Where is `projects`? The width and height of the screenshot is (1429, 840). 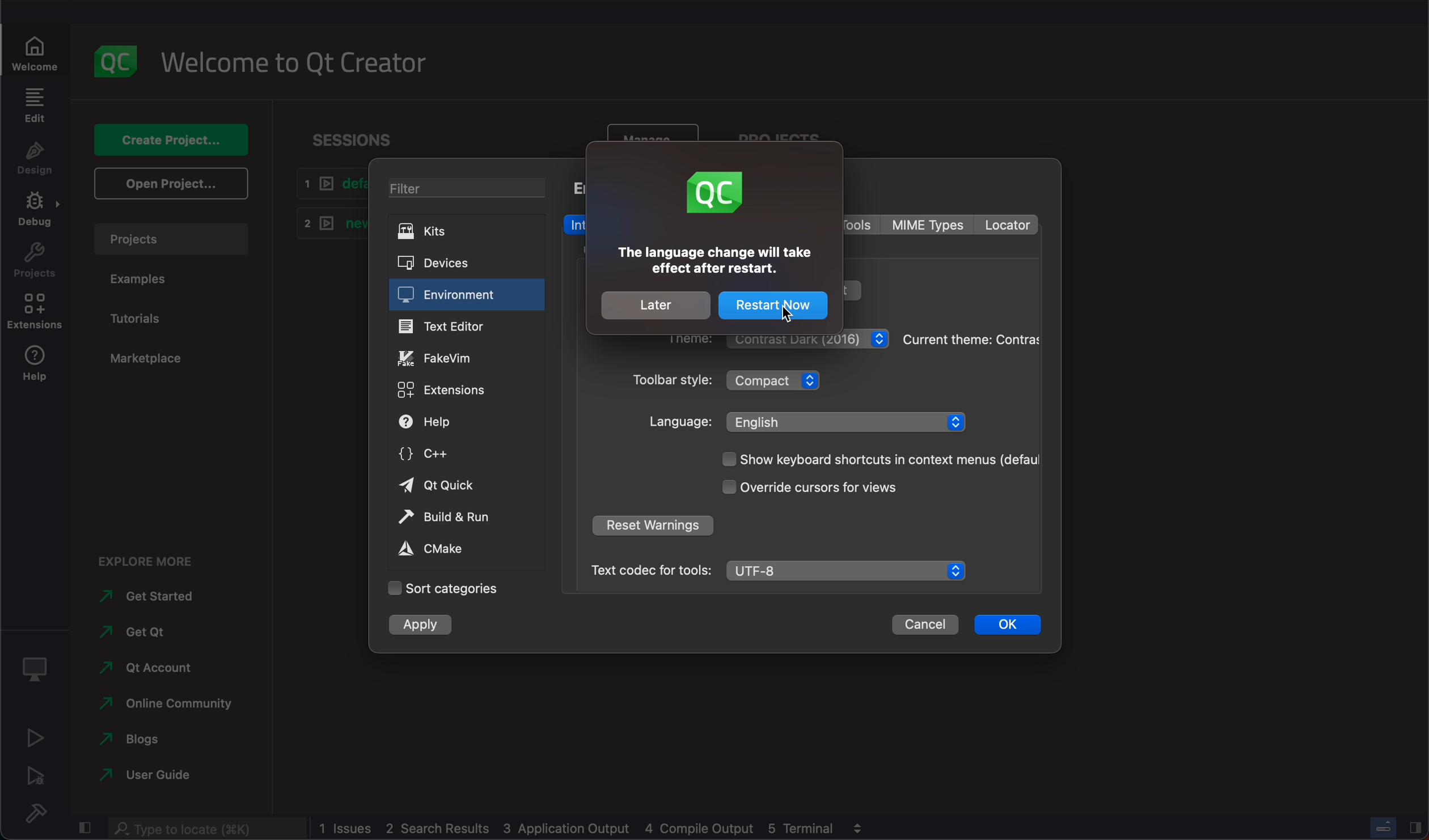
projects is located at coordinates (169, 239).